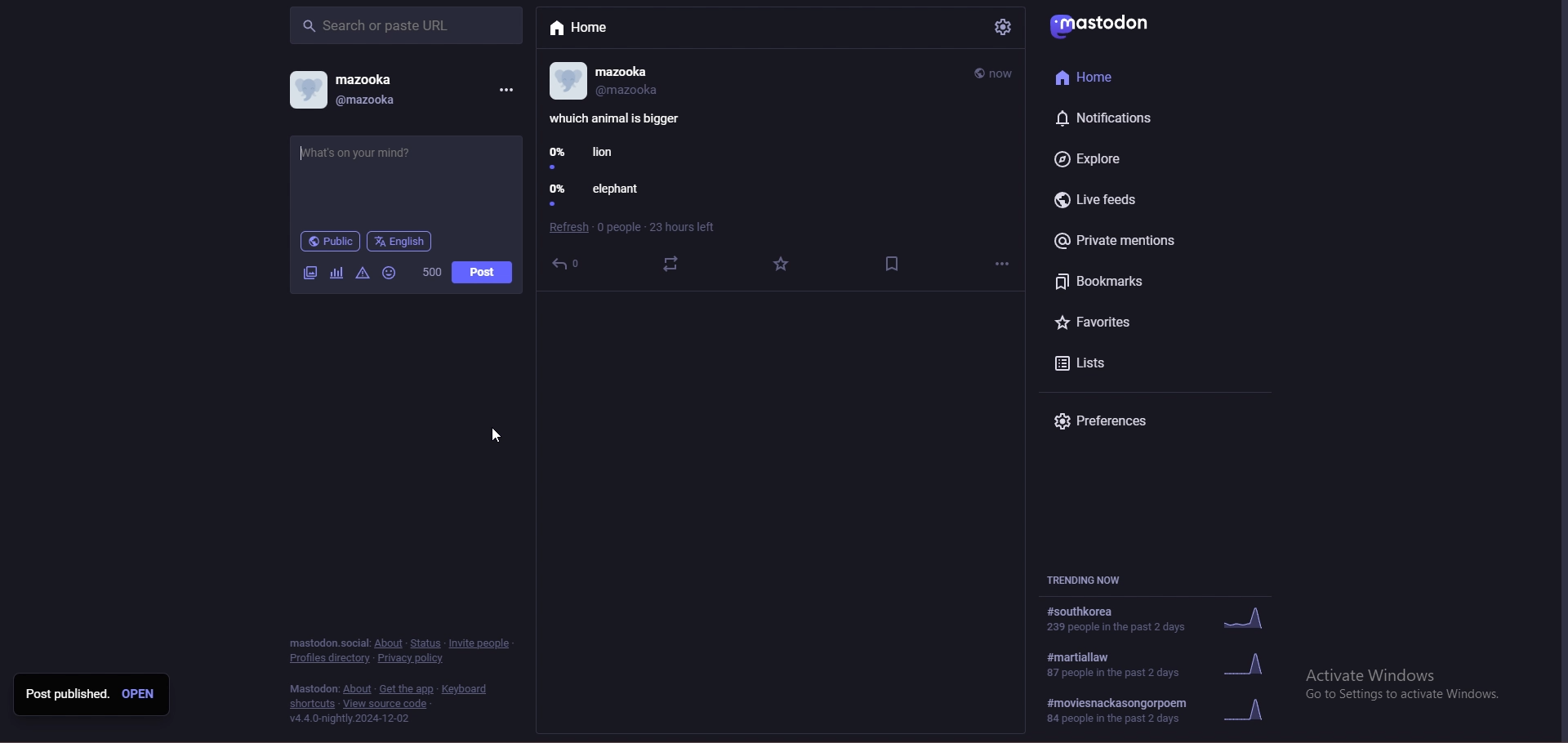 This screenshot has width=1568, height=743. Describe the element at coordinates (364, 274) in the screenshot. I see `Warning` at that location.